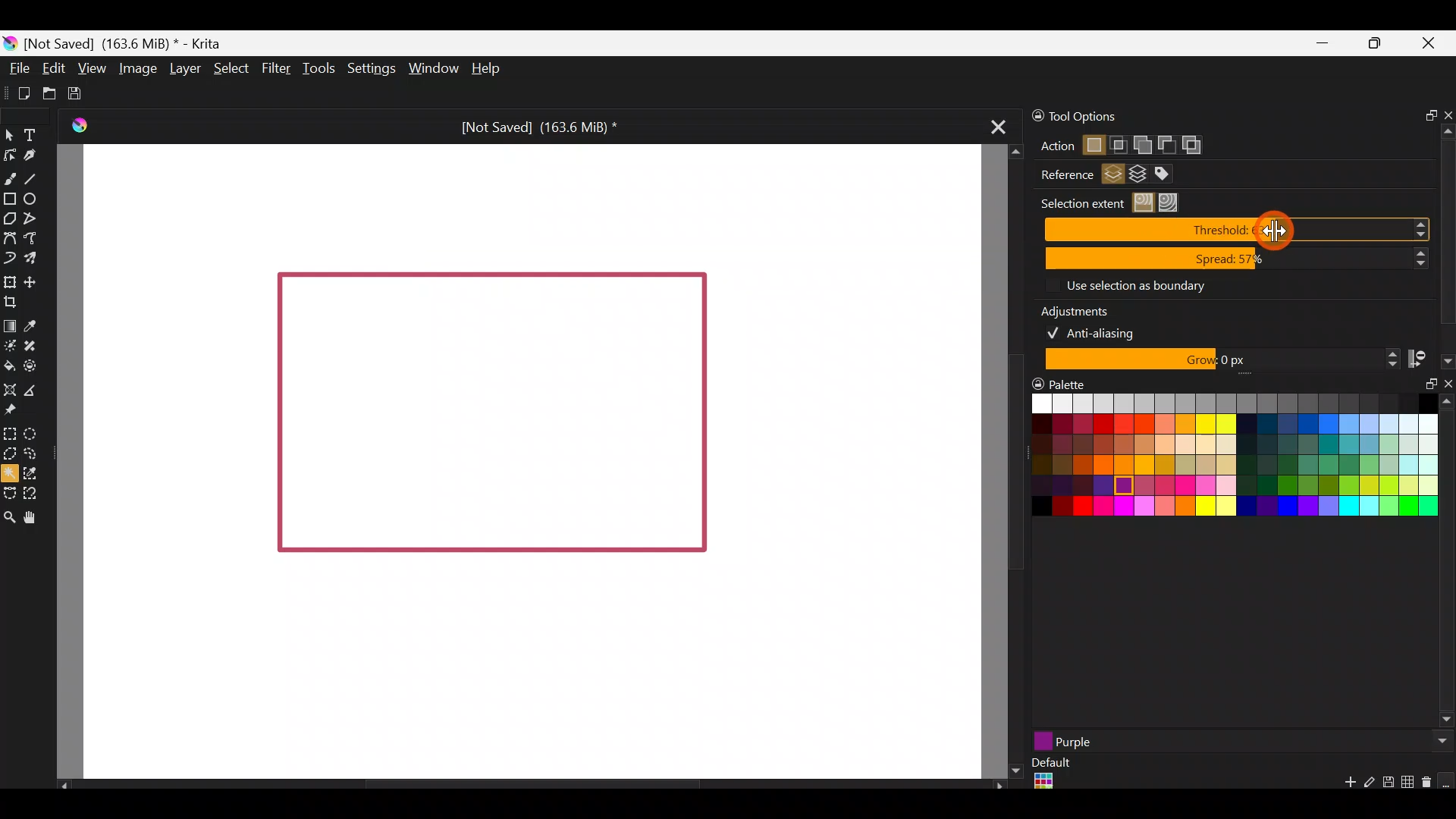 The image size is (1456, 819). Describe the element at coordinates (32, 256) in the screenshot. I see `Multibrush tool` at that location.